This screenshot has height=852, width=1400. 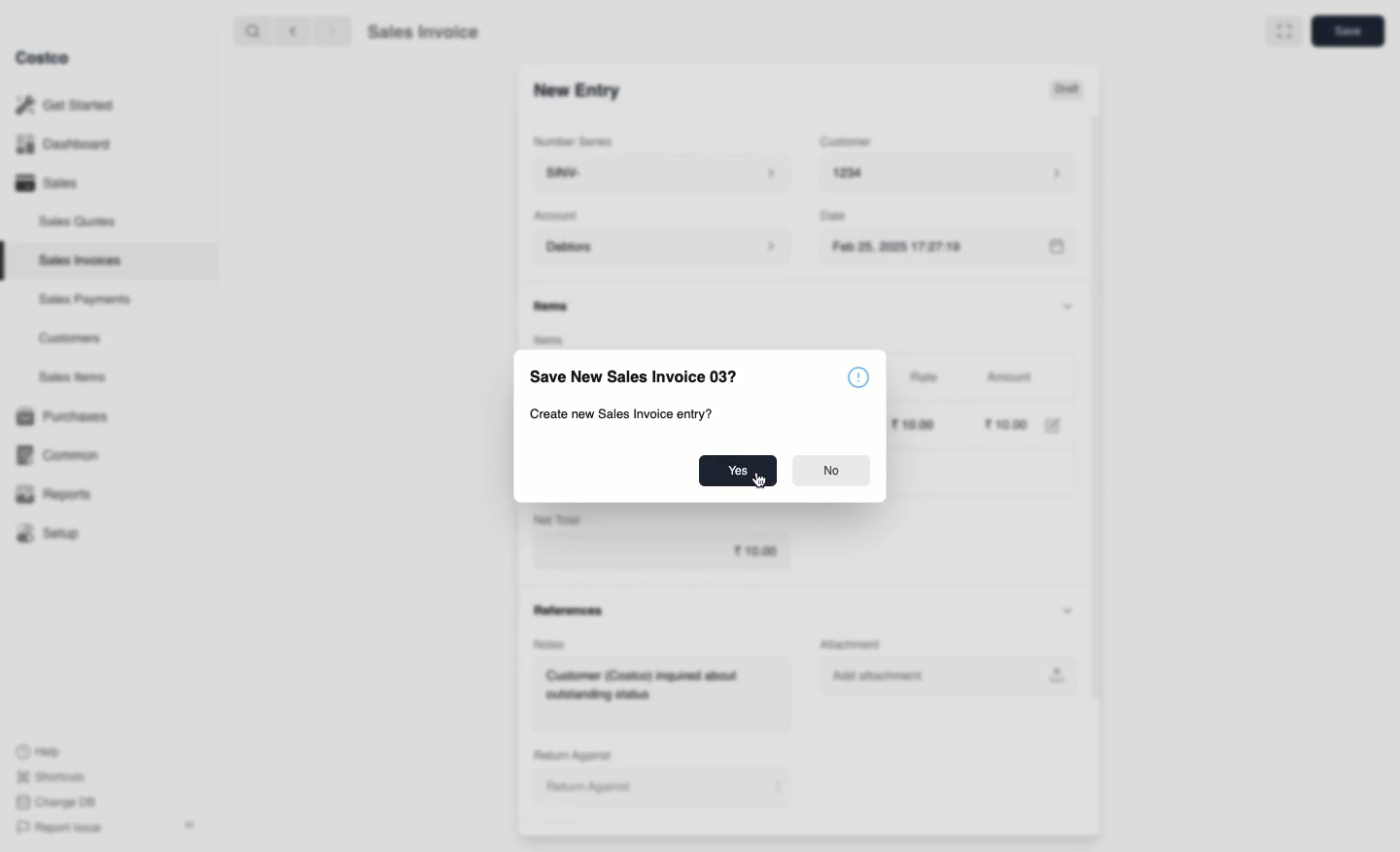 What do you see at coordinates (69, 378) in the screenshot?
I see `Sales Items.` at bounding box center [69, 378].